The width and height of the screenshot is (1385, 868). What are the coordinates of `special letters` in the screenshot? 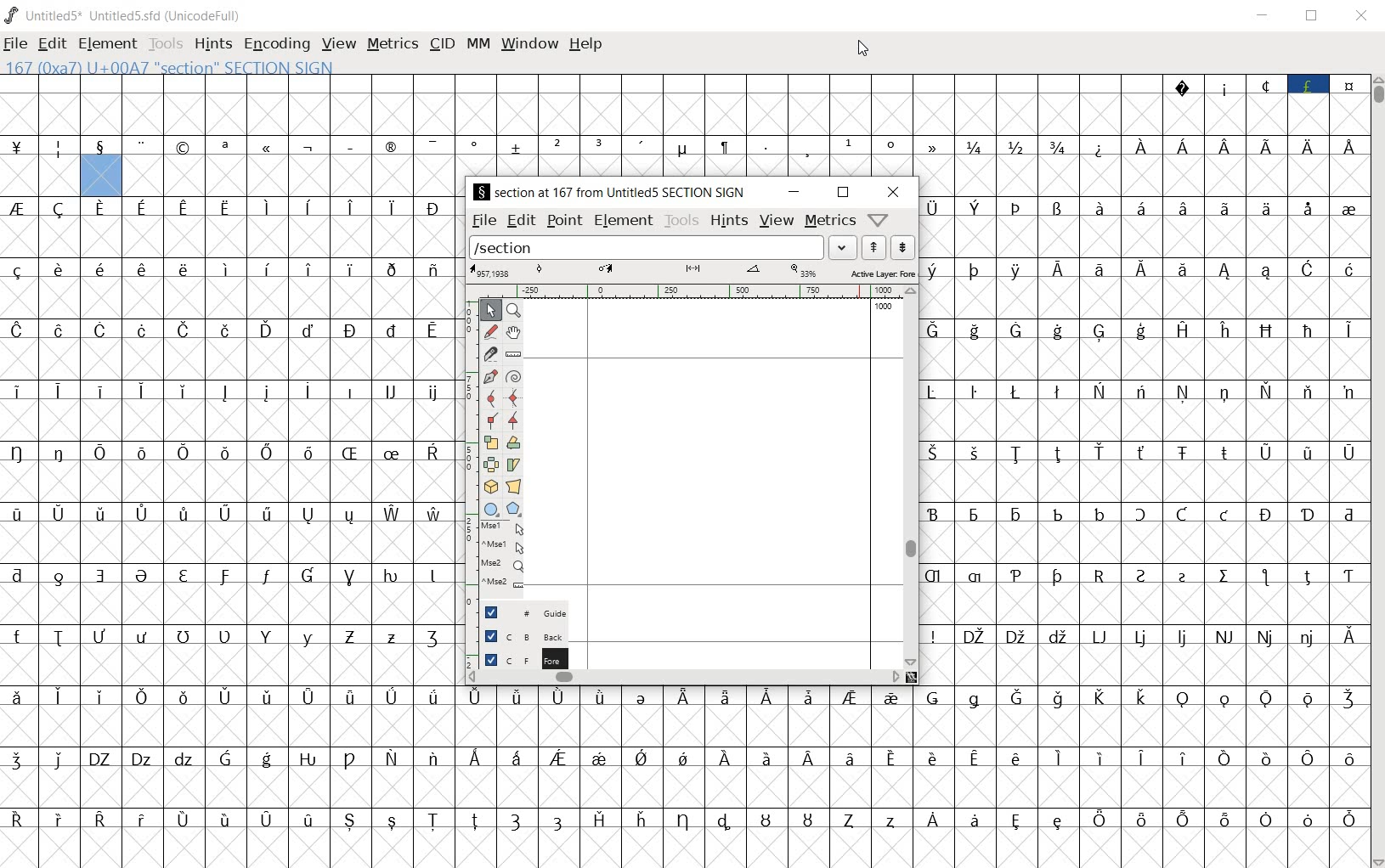 It's located at (230, 454).